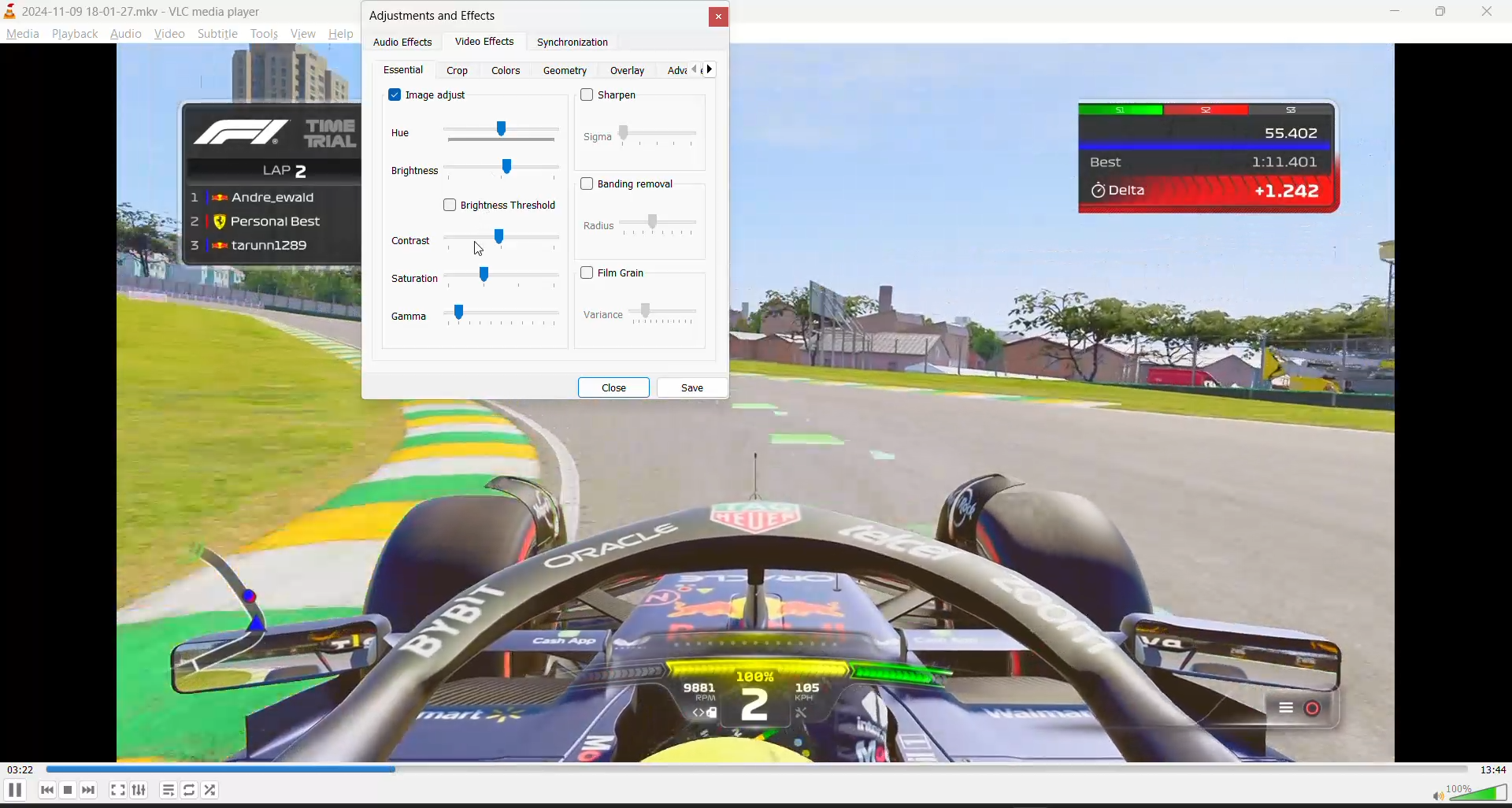 This screenshot has height=808, width=1512. What do you see at coordinates (502, 171) in the screenshot?
I see `brightness slider` at bounding box center [502, 171].